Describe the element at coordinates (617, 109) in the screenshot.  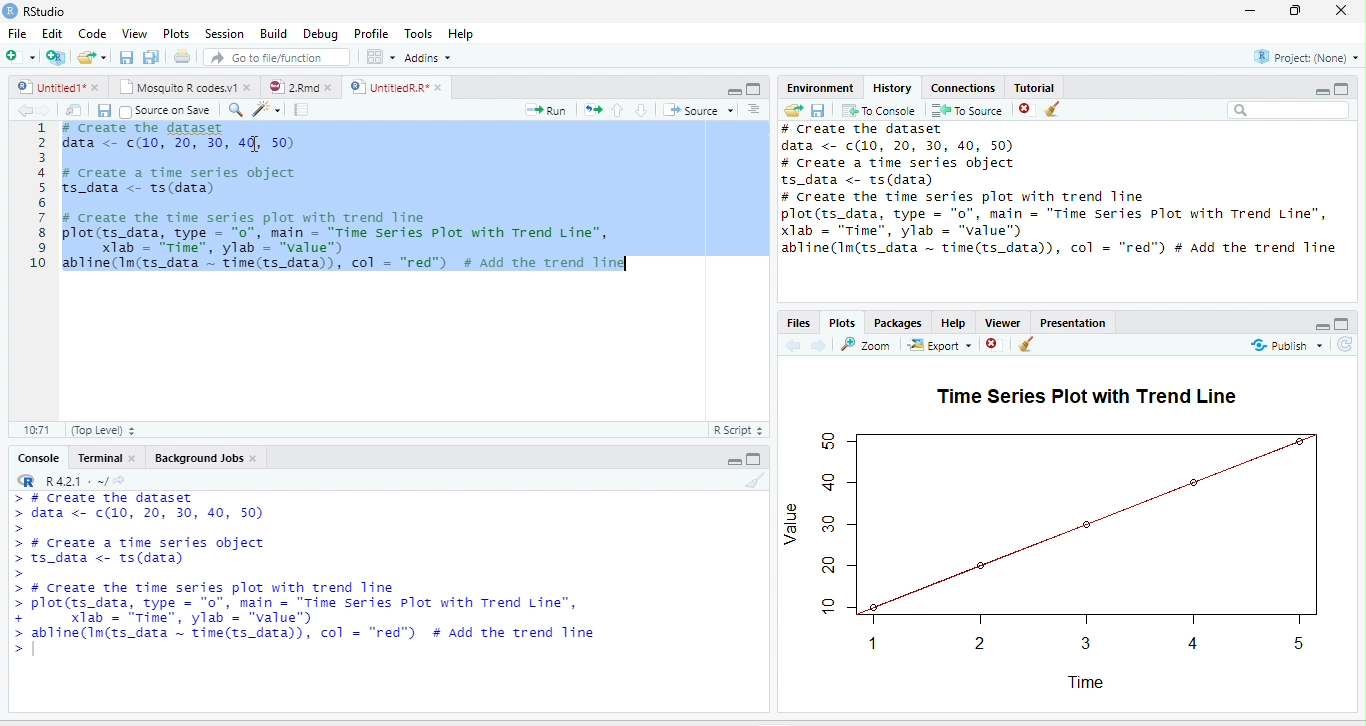
I see `Go to previous section/chunk` at that location.